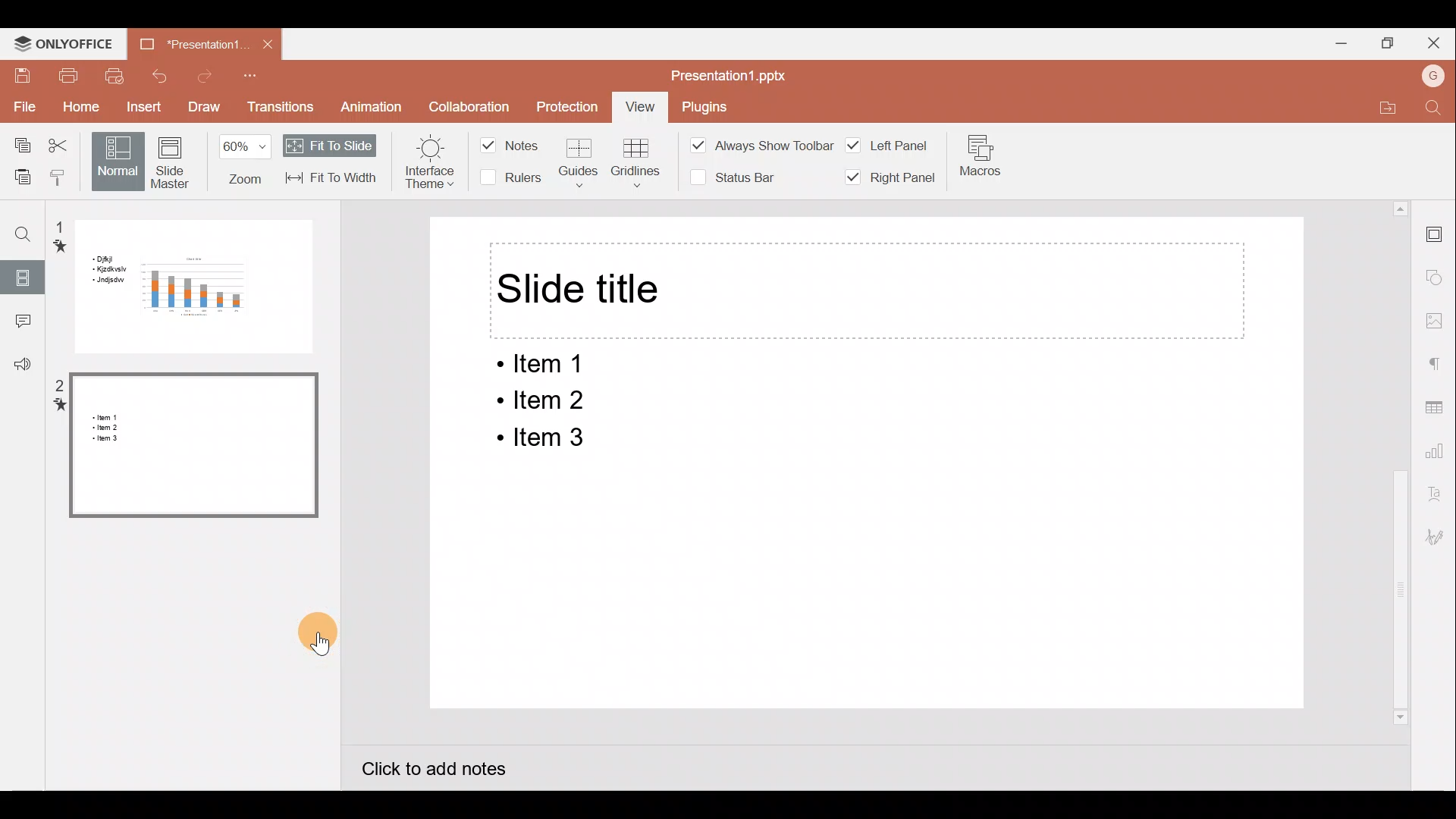  Describe the element at coordinates (514, 177) in the screenshot. I see `Rulers` at that location.